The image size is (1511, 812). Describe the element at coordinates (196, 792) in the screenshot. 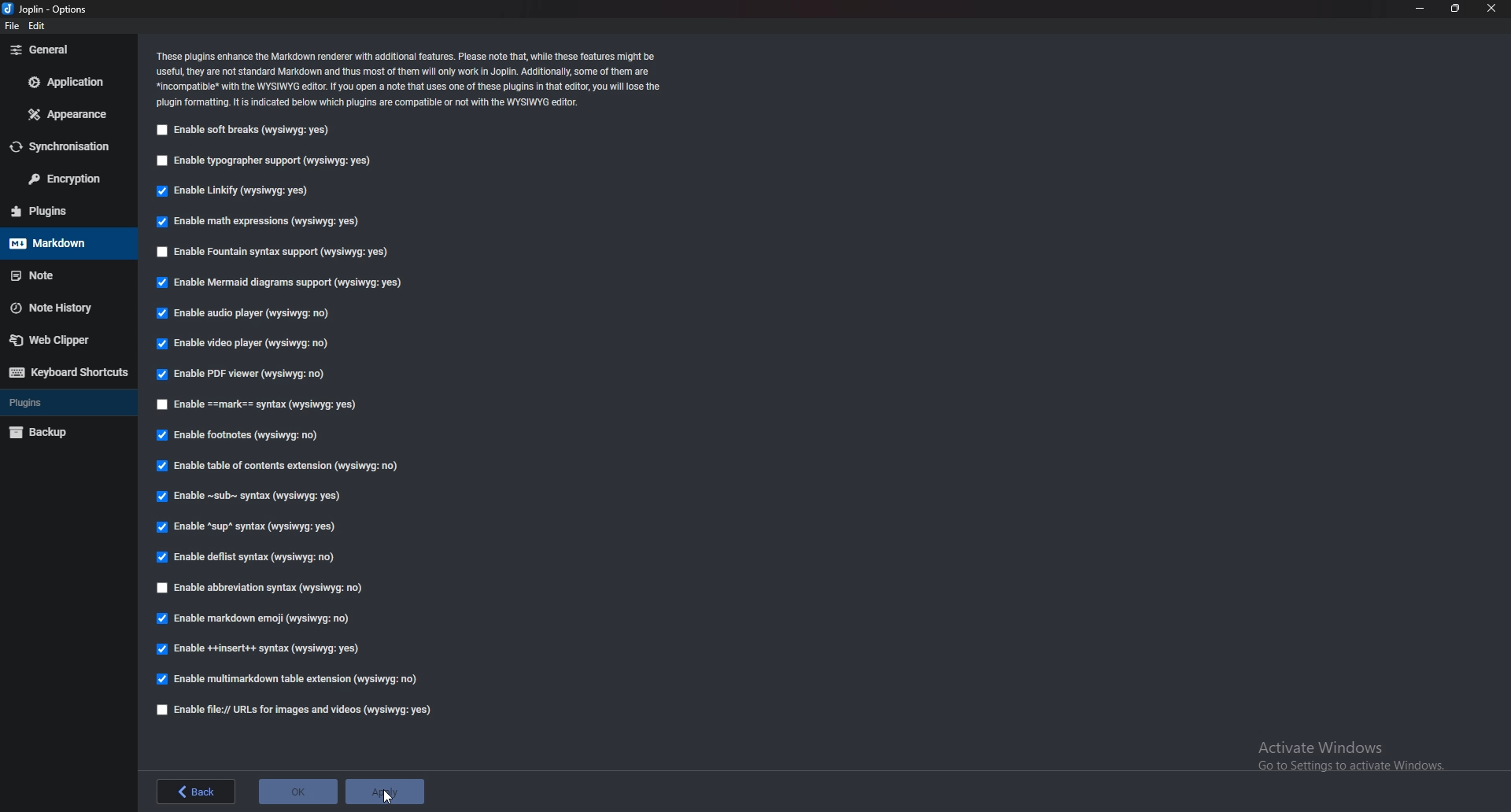

I see `back` at that location.